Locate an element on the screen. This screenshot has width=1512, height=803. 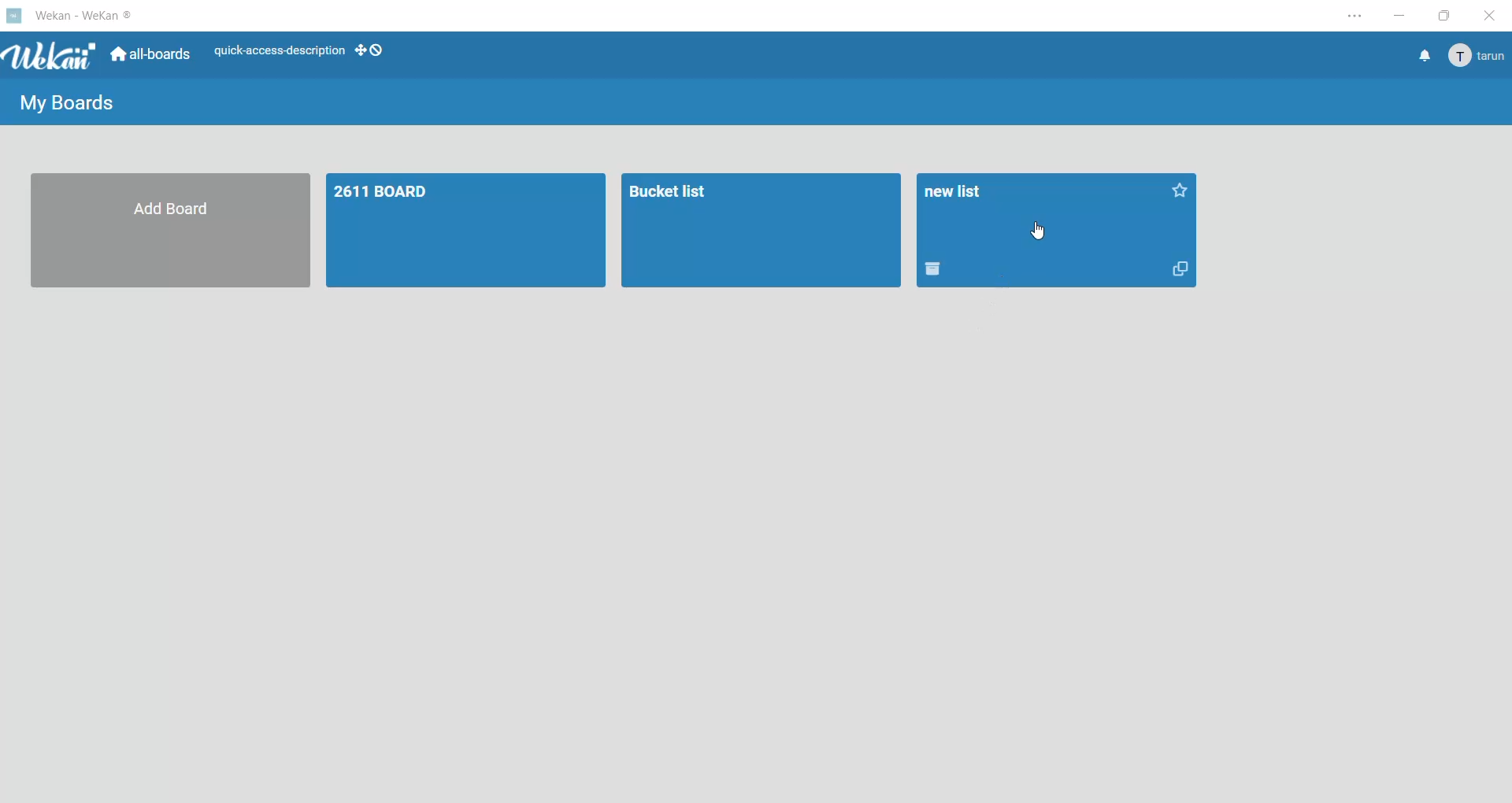
duplicate is located at coordinates (1180, 272).